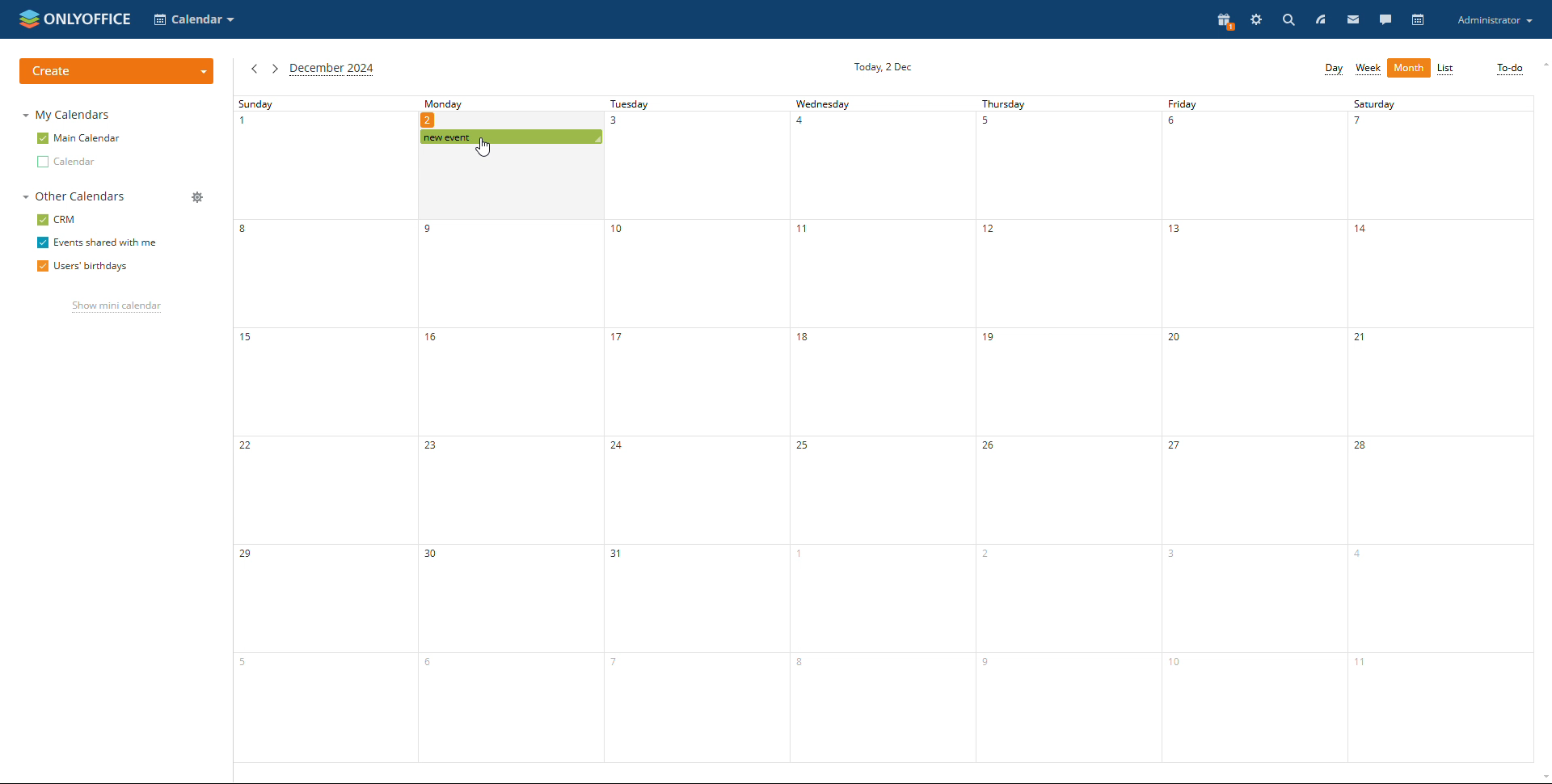  Describe the element at coordinates (511, 429) in the screenshot. I see `monday` at that location.